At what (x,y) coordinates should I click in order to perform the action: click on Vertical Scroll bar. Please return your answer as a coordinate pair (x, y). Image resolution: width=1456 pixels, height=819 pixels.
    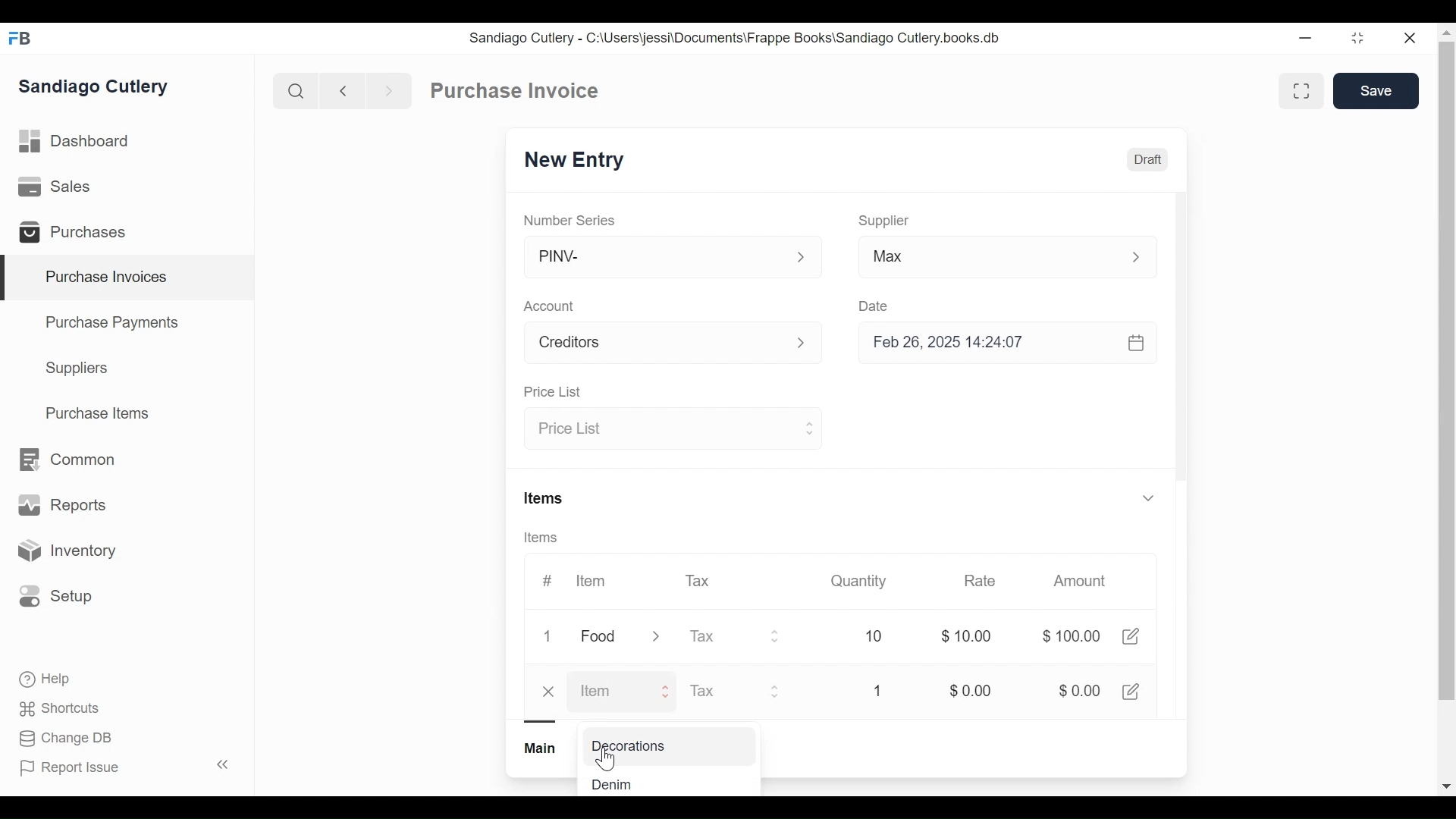
    Looking at the image, I should click on (1185, 357).